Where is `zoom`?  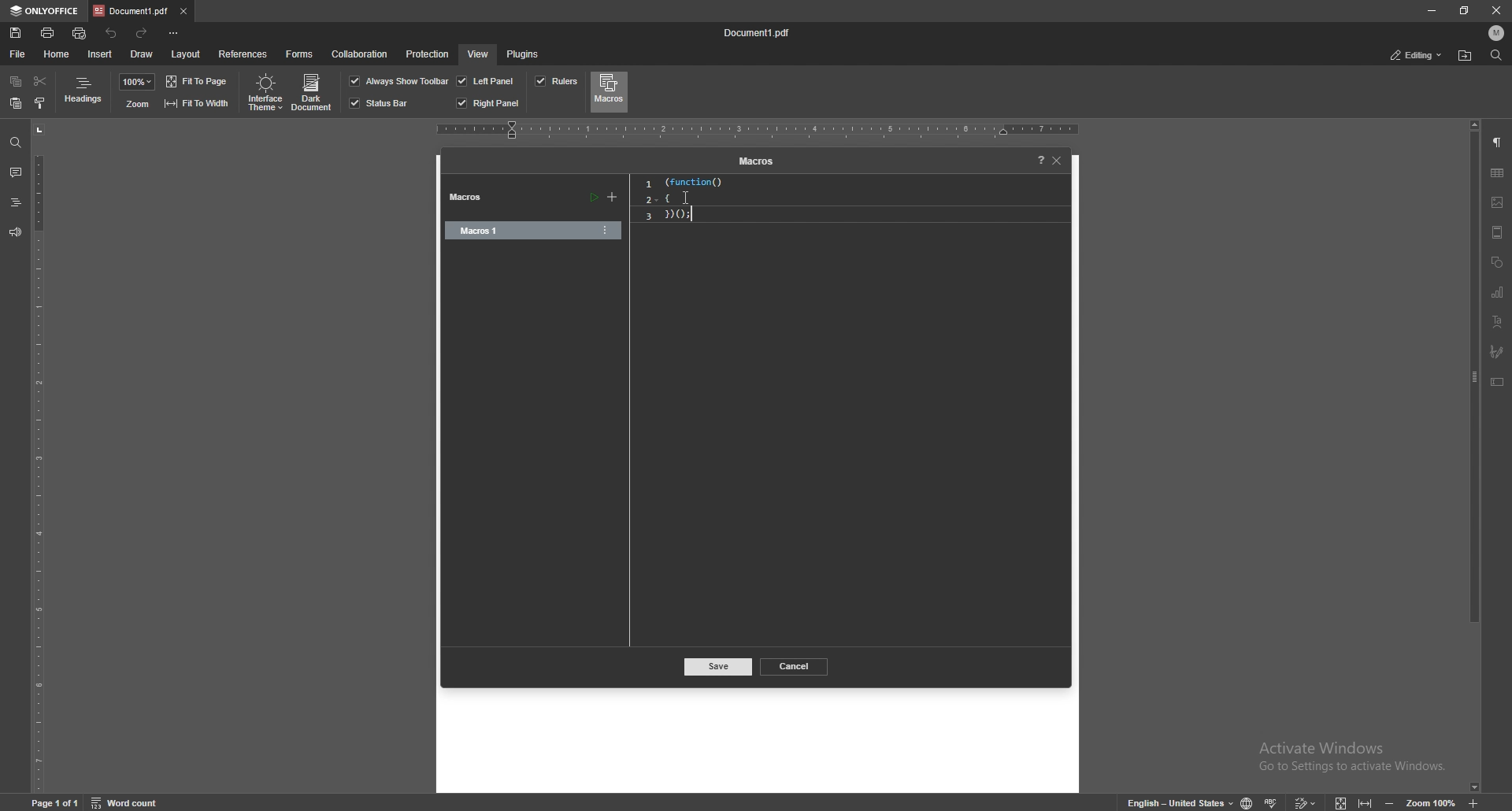
zoom is located at coordinates (1432, 802).